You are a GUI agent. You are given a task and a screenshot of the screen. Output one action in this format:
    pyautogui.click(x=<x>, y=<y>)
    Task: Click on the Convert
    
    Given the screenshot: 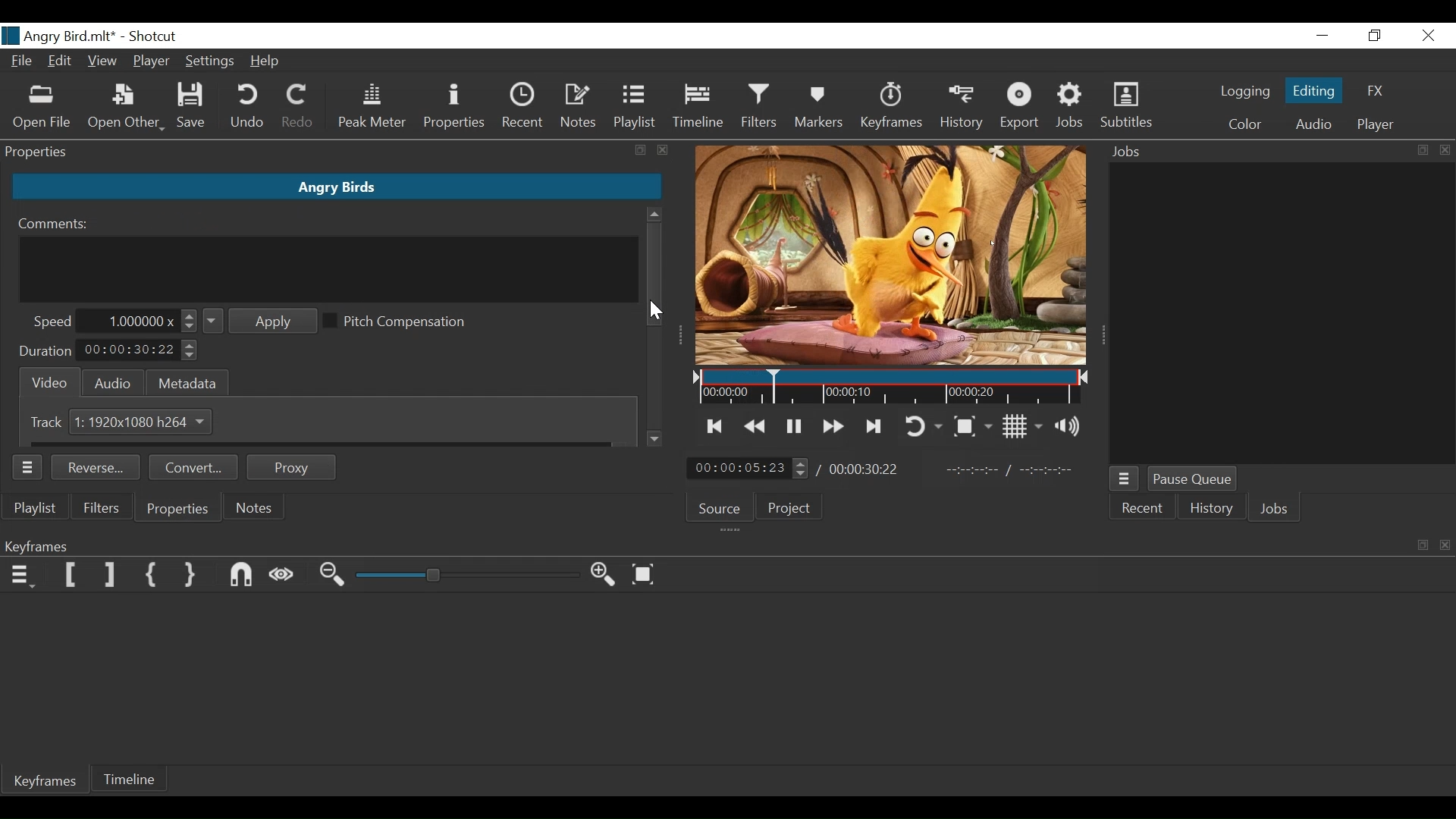 What is the action you would take?
    pyautogui.click(x=192, y=467)
    